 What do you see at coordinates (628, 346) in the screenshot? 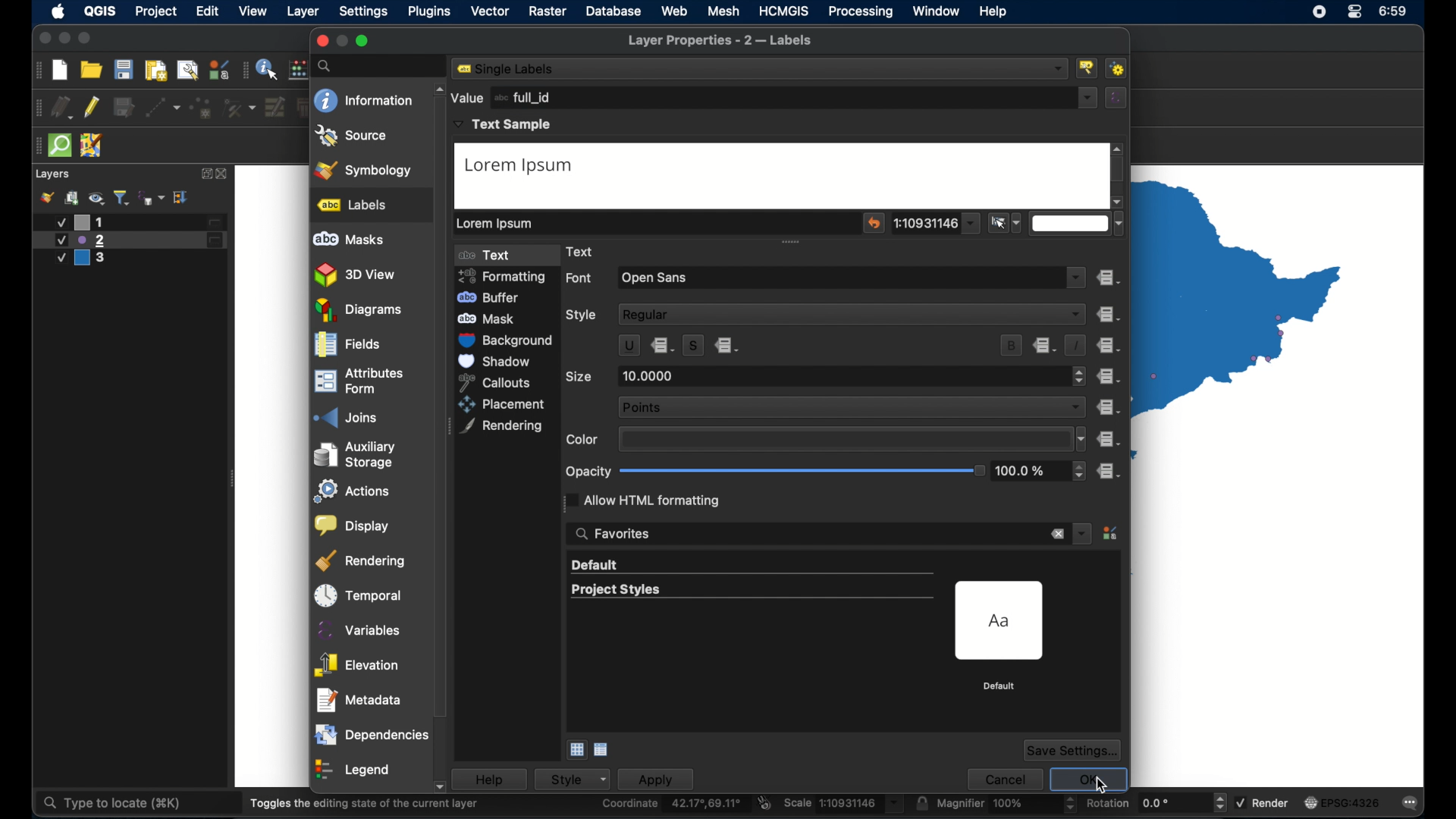
I see `u` at bounding box center [628, 346].